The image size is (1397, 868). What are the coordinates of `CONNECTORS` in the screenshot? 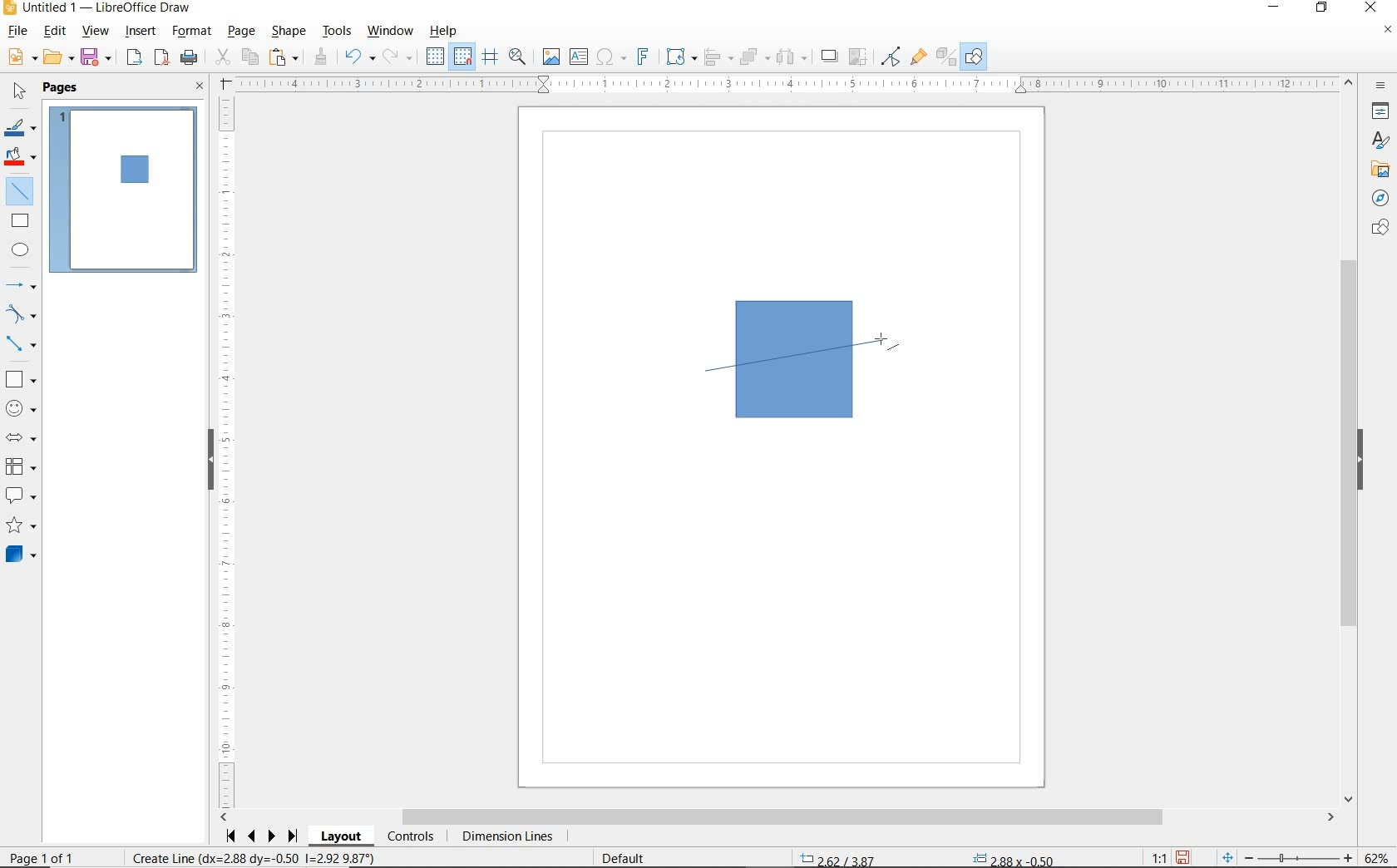 It's located at (21, 345).